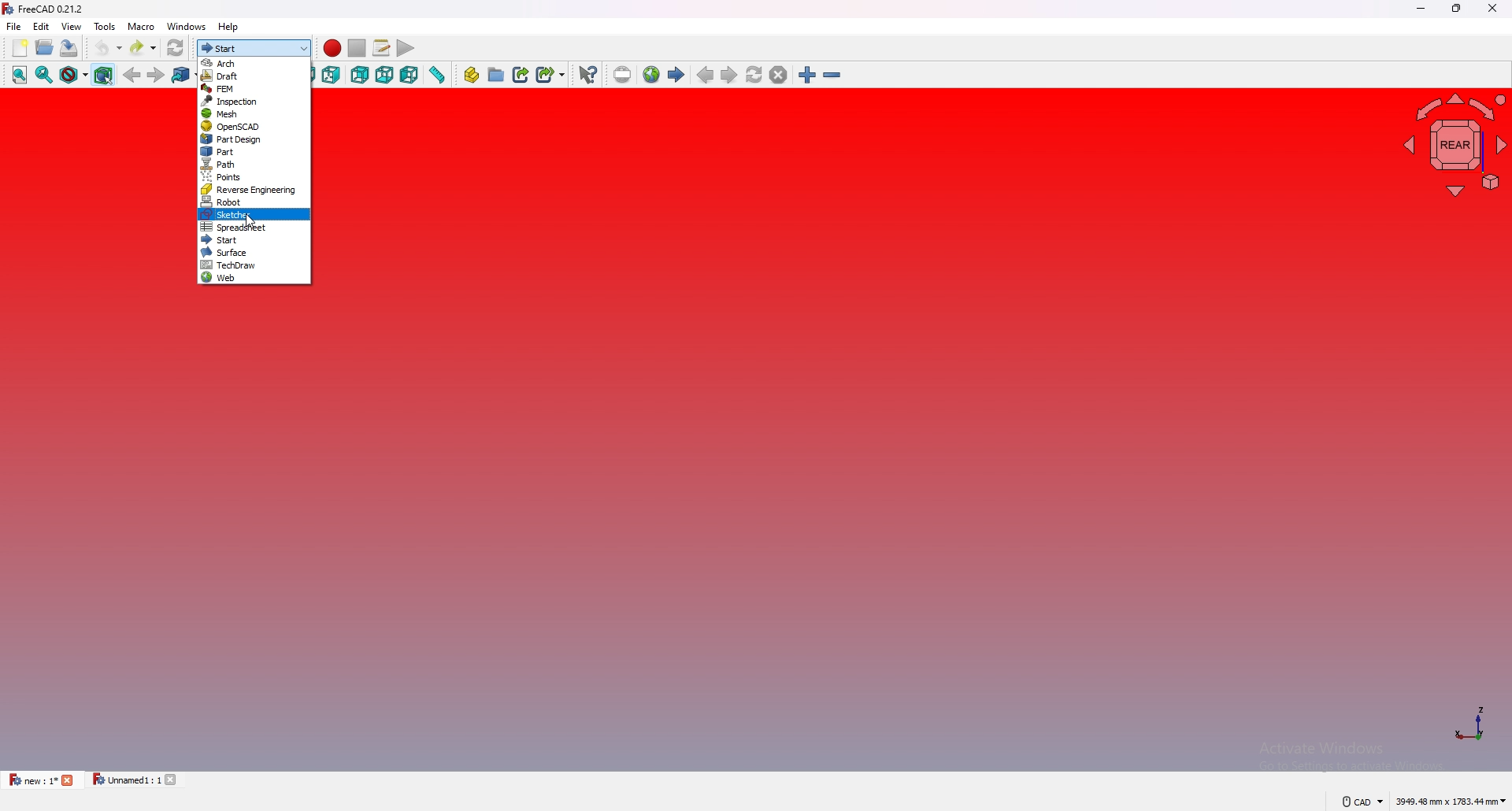 The image size is (1512, 811). I want to click on previous page, so click(705, 74).